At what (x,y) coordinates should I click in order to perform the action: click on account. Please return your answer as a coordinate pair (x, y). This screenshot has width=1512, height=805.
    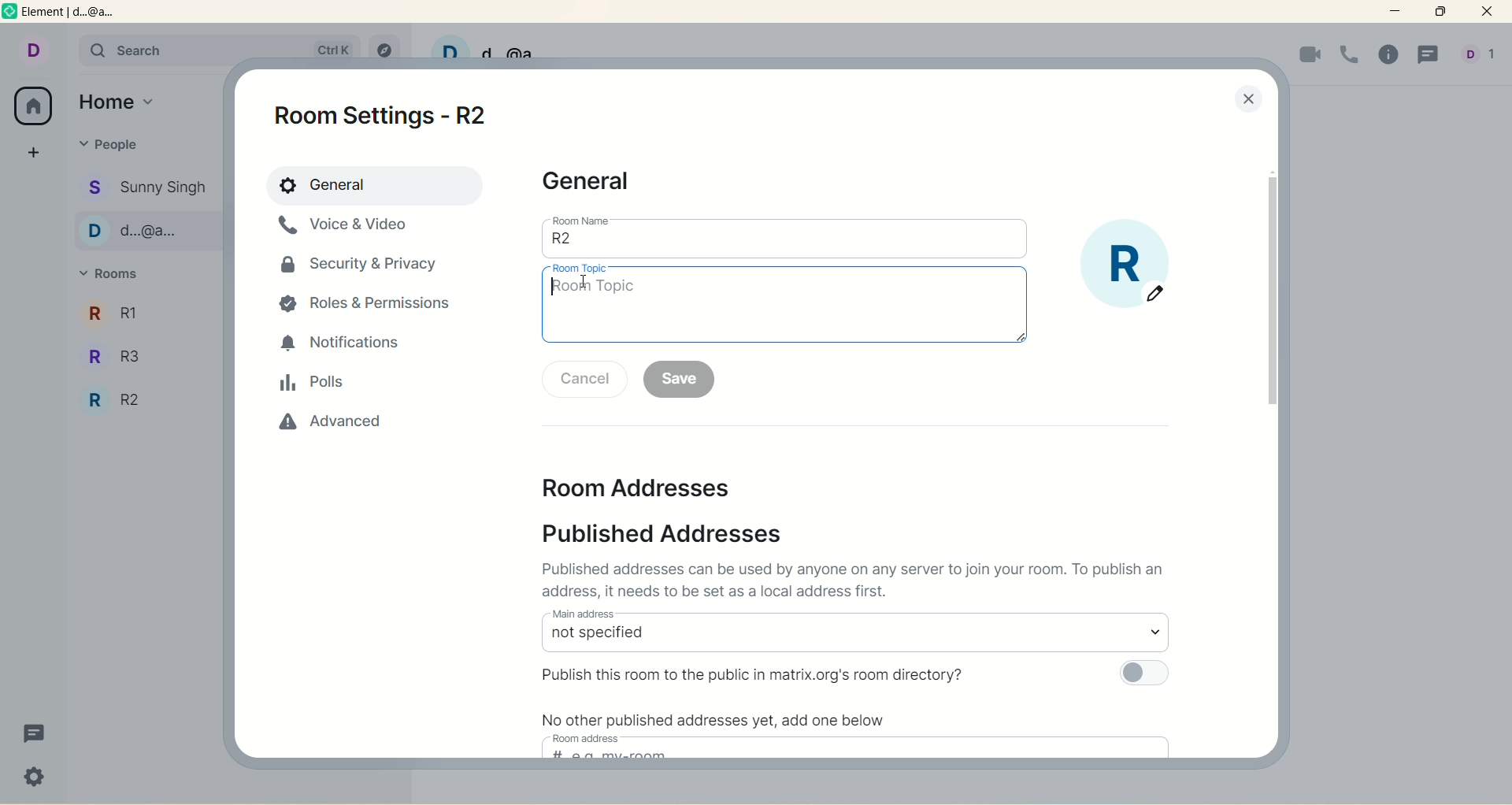
    Looking at the image, I should click on (1482, 55).